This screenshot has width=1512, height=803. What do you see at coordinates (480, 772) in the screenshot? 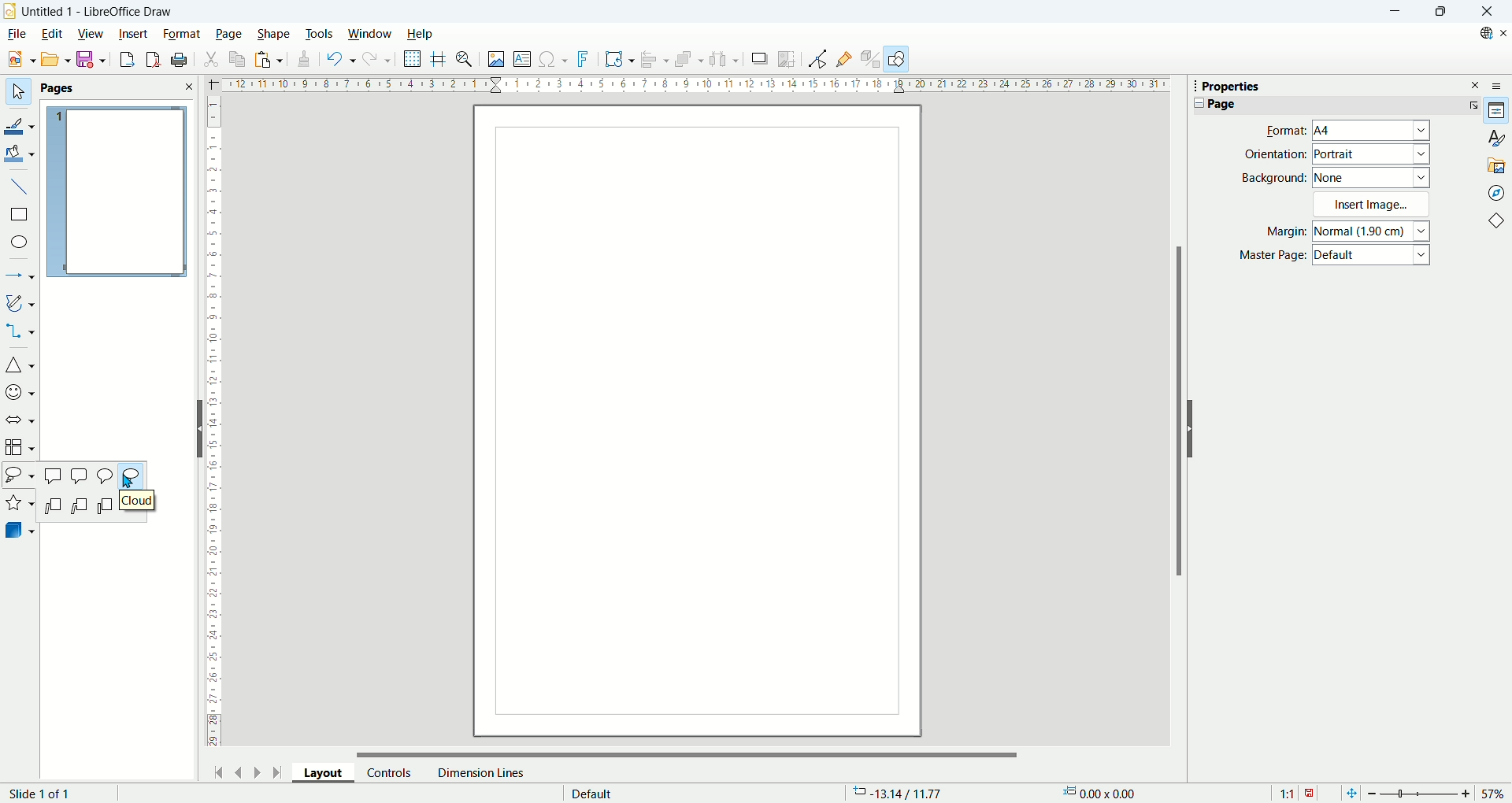
I see `dimension lines` at bounding box center [480, 772].